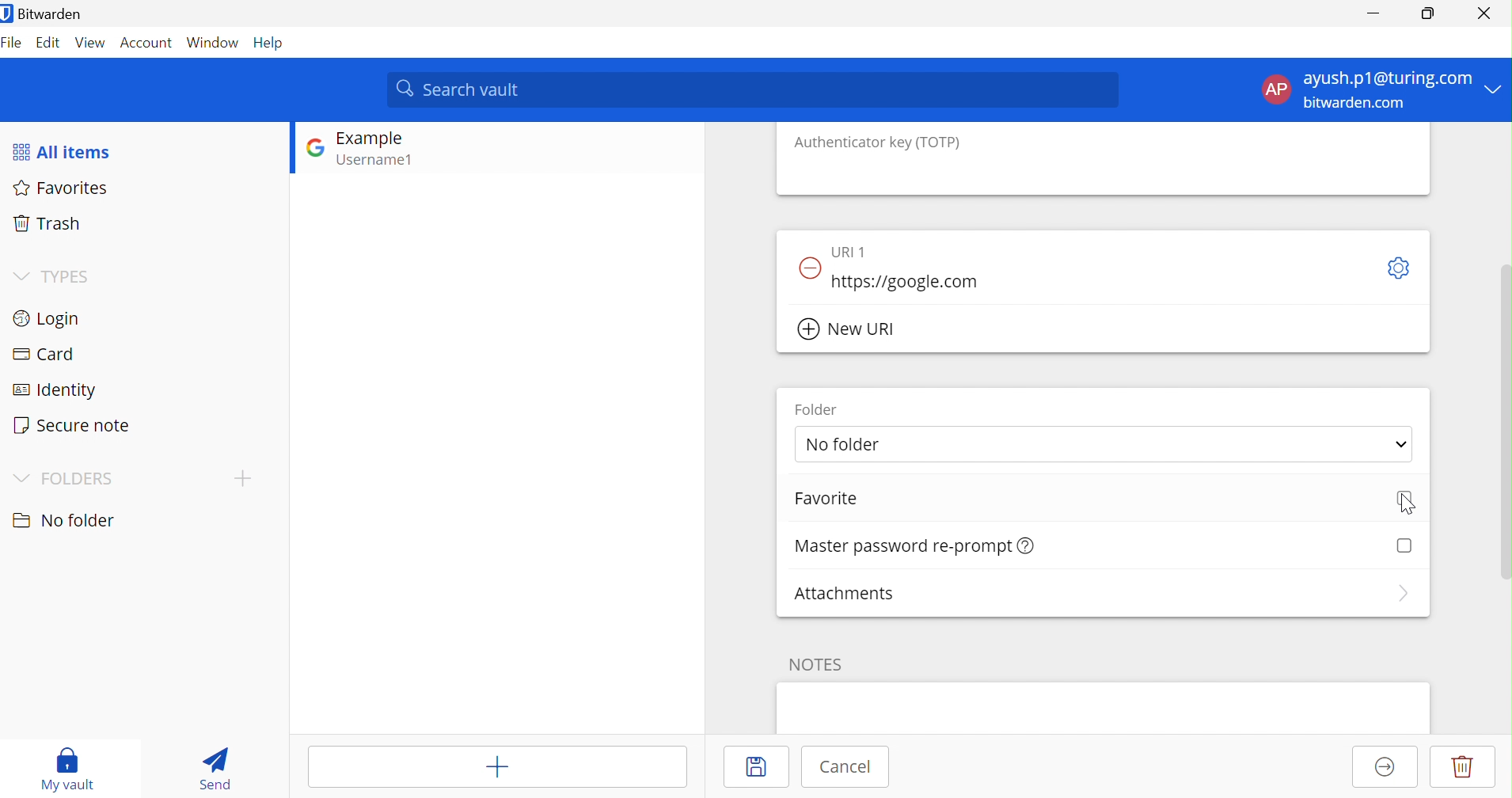 The width and height of the screenshot is (1512, 798). What do you see at coordinates (1384, 768) in the screenshot?
I see `Move to organization` at bounding box center [1384, 768].